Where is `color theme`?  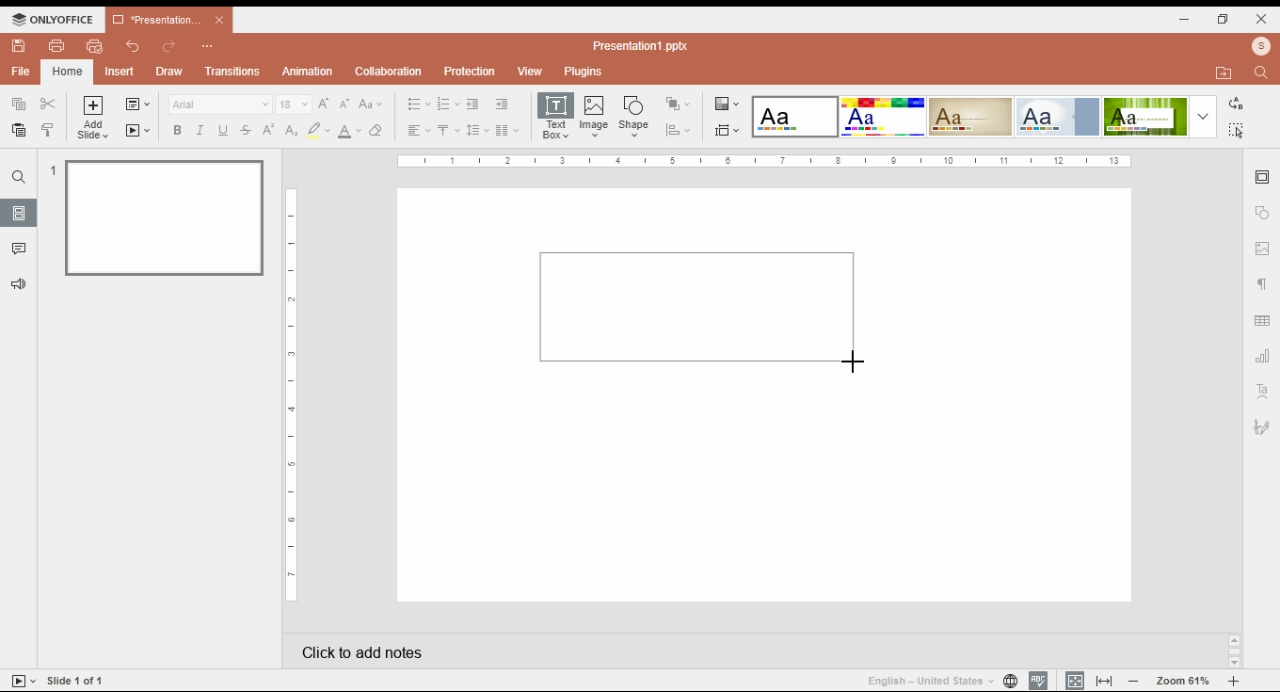
color theme is located at coordinates (1057, 117).